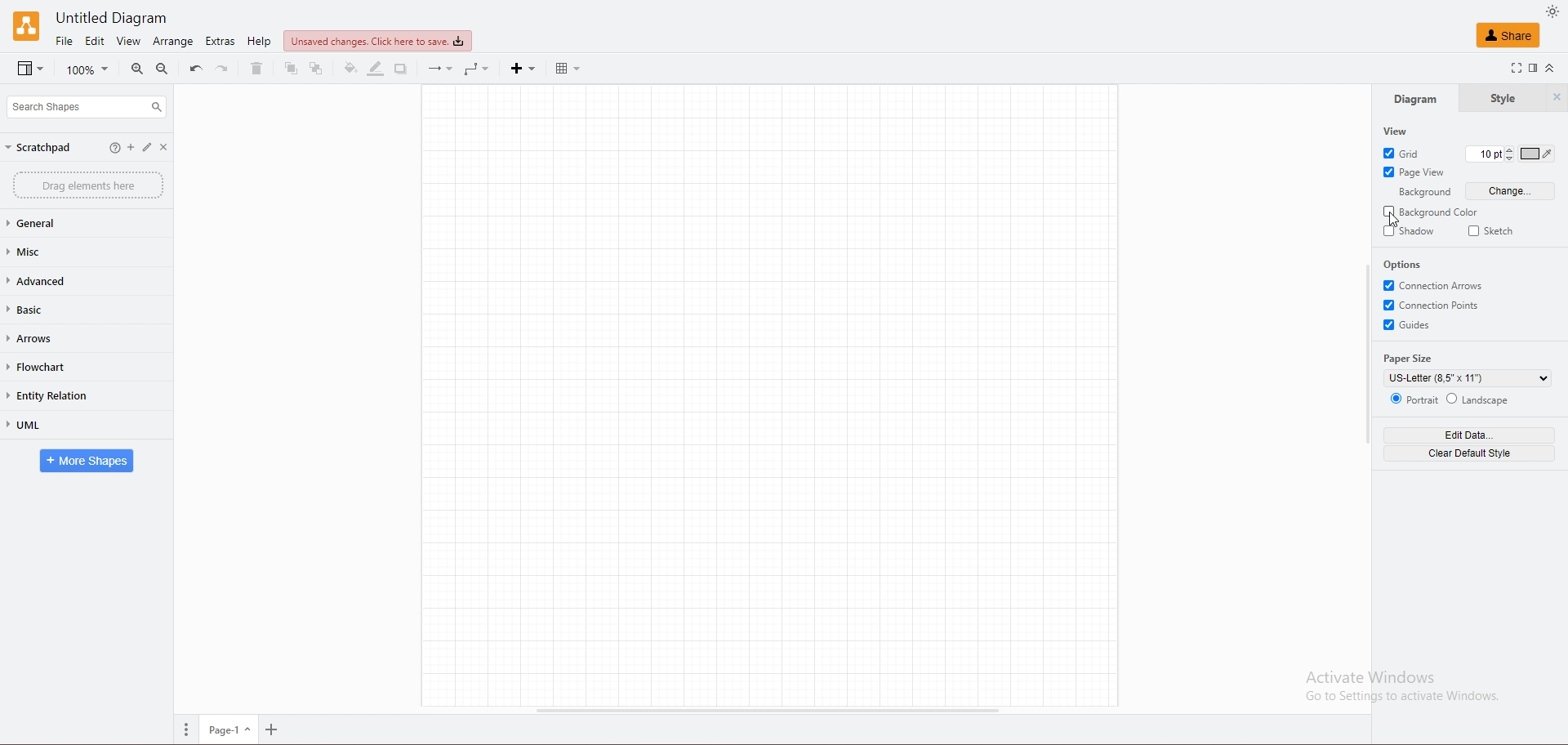 This screenshot has height=745, width=1568. I want to click on arrow, so click(438, 70).